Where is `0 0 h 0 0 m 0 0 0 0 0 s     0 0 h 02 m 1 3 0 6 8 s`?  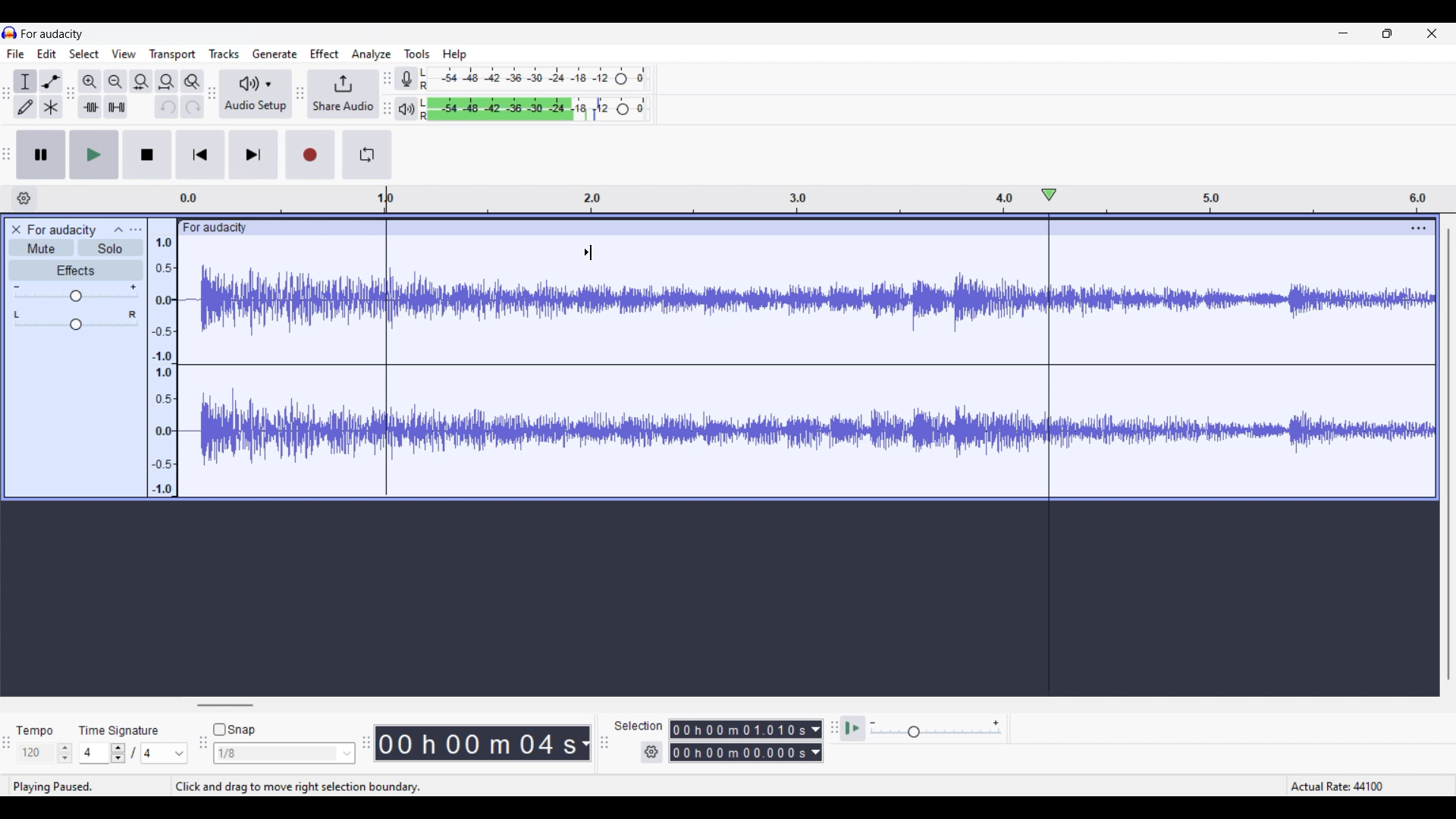
0 0 h 0 0 m 0 0 0 0 0 s     0 0 h 02 m 1 3 0 6 8 s is located at coordinates (739, 741).